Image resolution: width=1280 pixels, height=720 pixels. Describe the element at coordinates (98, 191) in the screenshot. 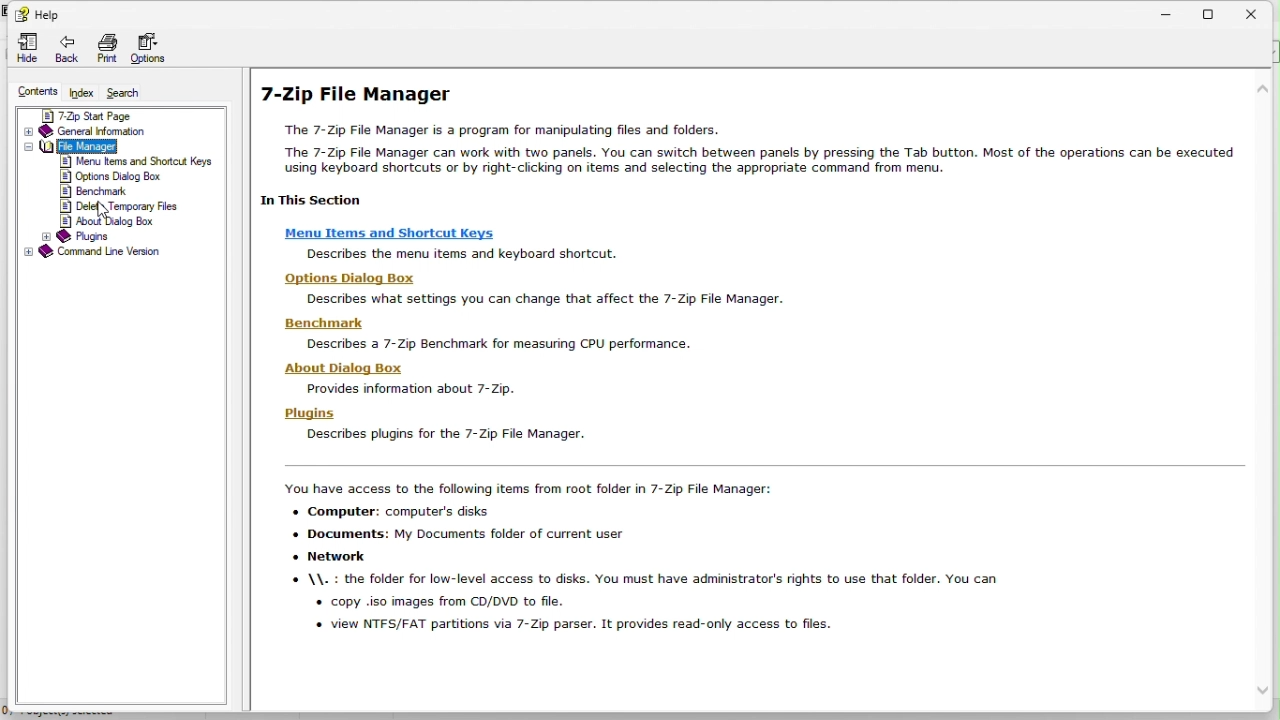

I see `benchmark` at that location.